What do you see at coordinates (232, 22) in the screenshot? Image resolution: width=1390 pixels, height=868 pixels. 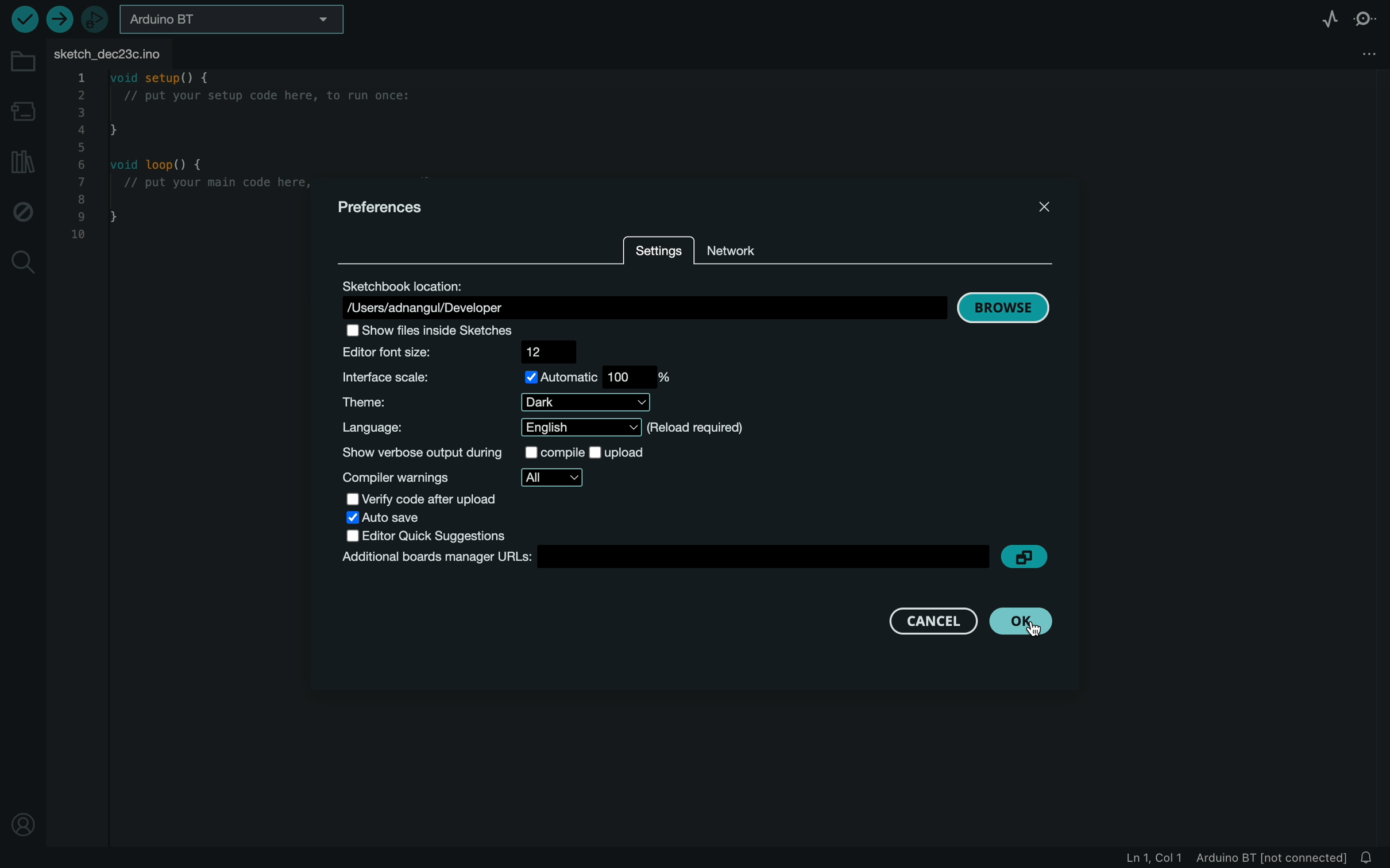 I see `board selector` at bounding box center [232, 22].